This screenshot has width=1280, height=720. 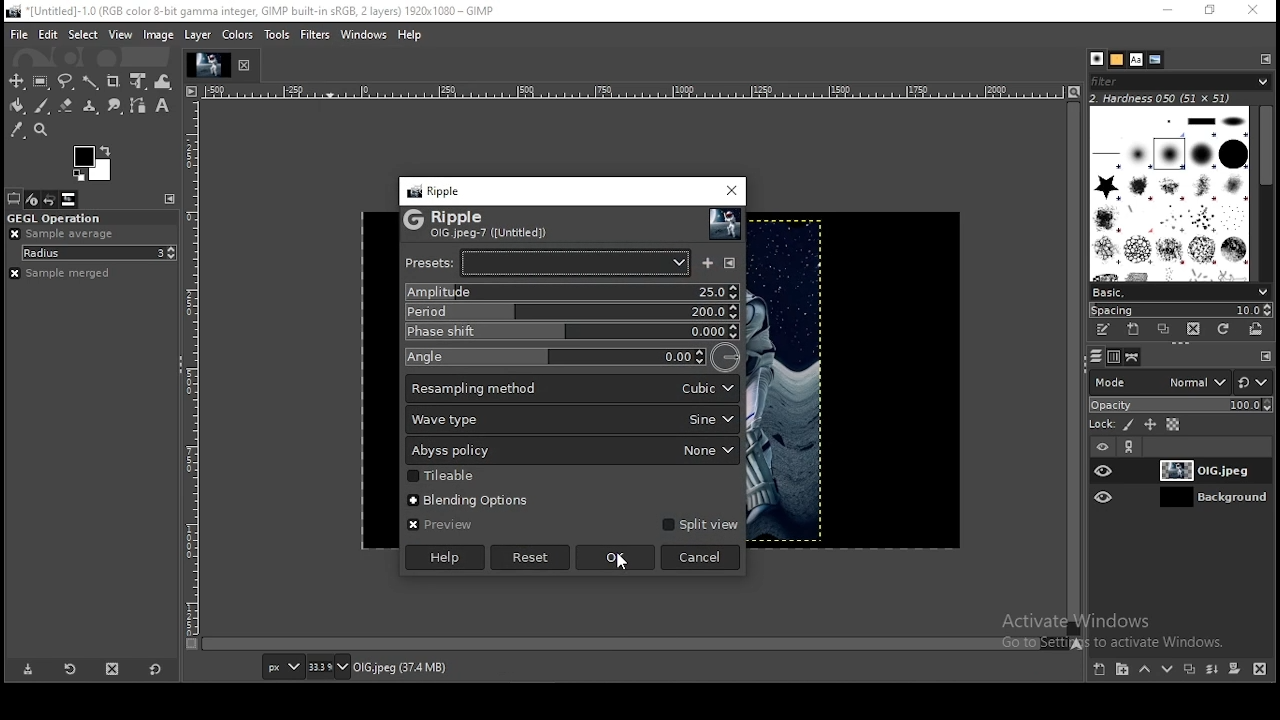 I want to click on sample merged, so click(x=59, y=274).